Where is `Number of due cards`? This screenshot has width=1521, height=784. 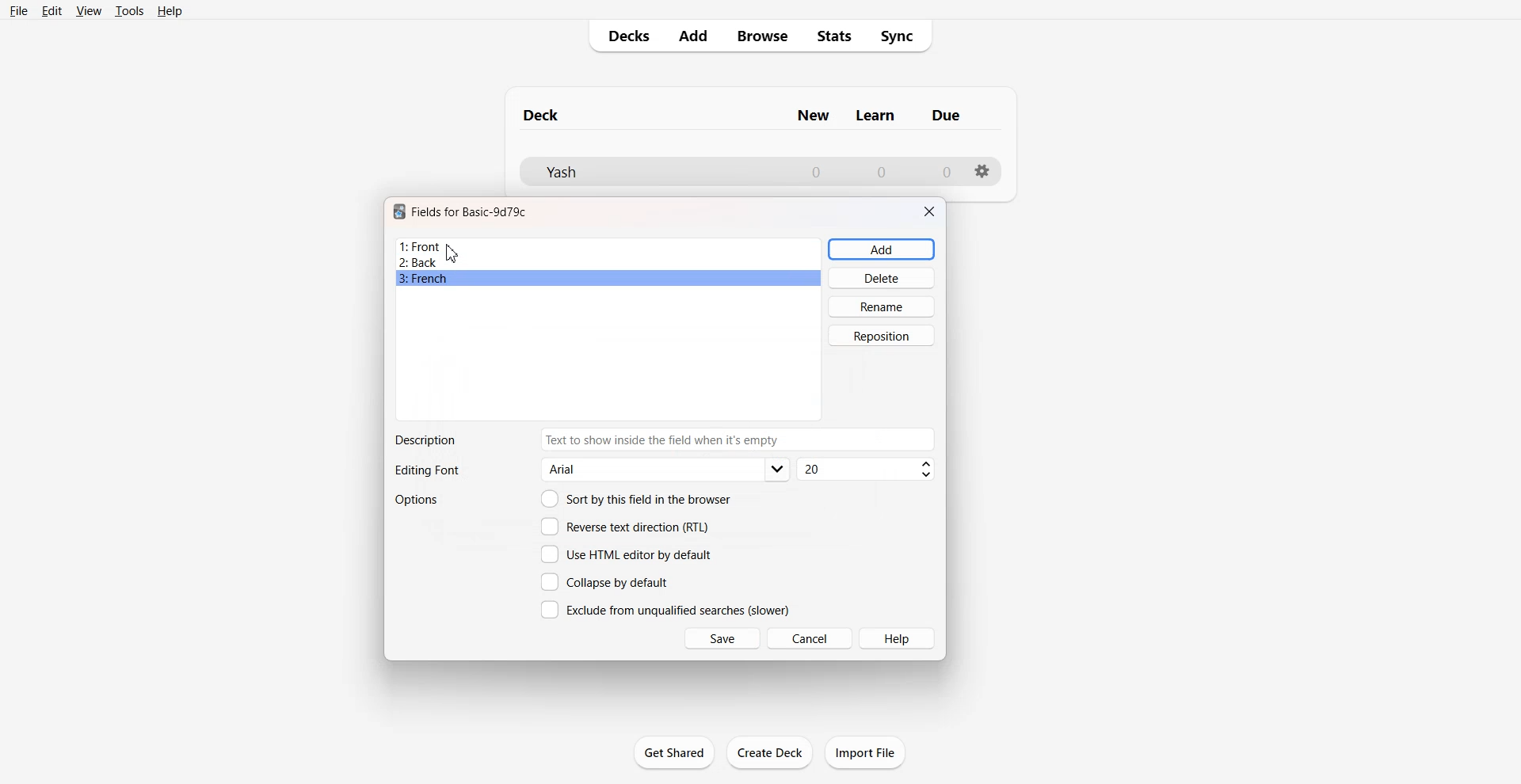 Number of due cards is located at coordinates (947, 172).